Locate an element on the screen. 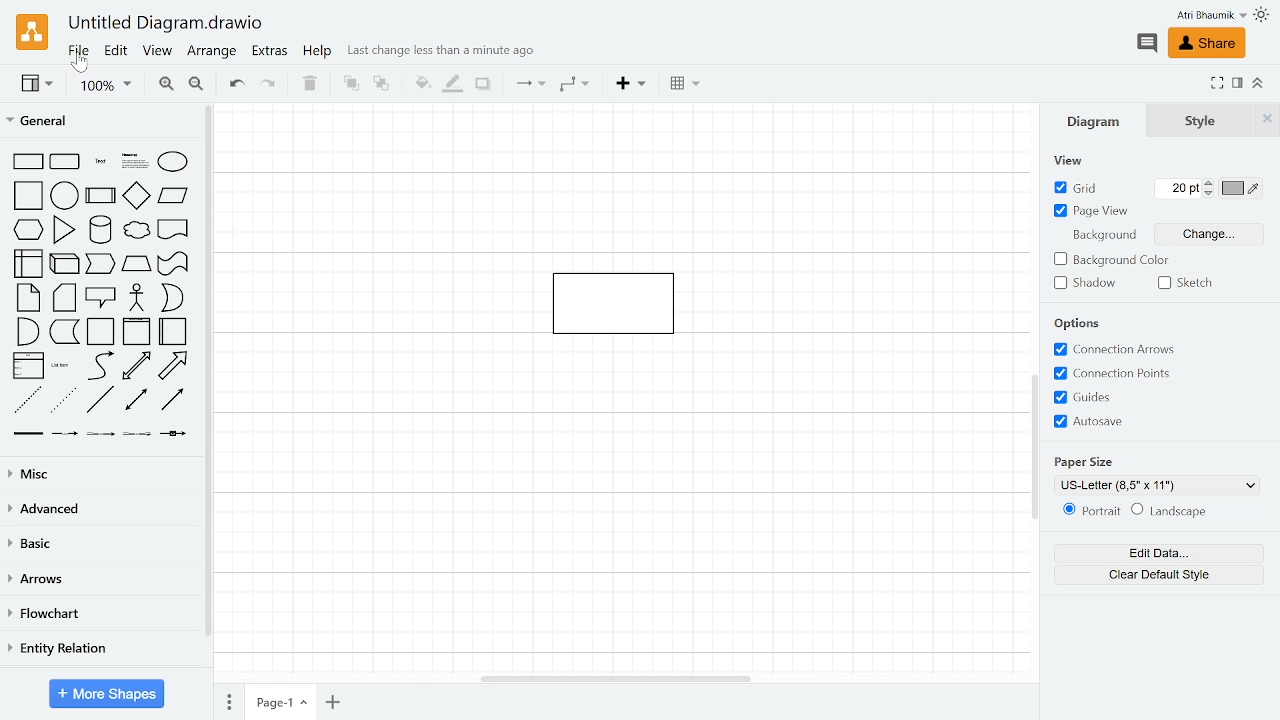 Image resolution: width=1280 pixels, height=720 pixels. Paper Size is located at coordinates (1083, 460).